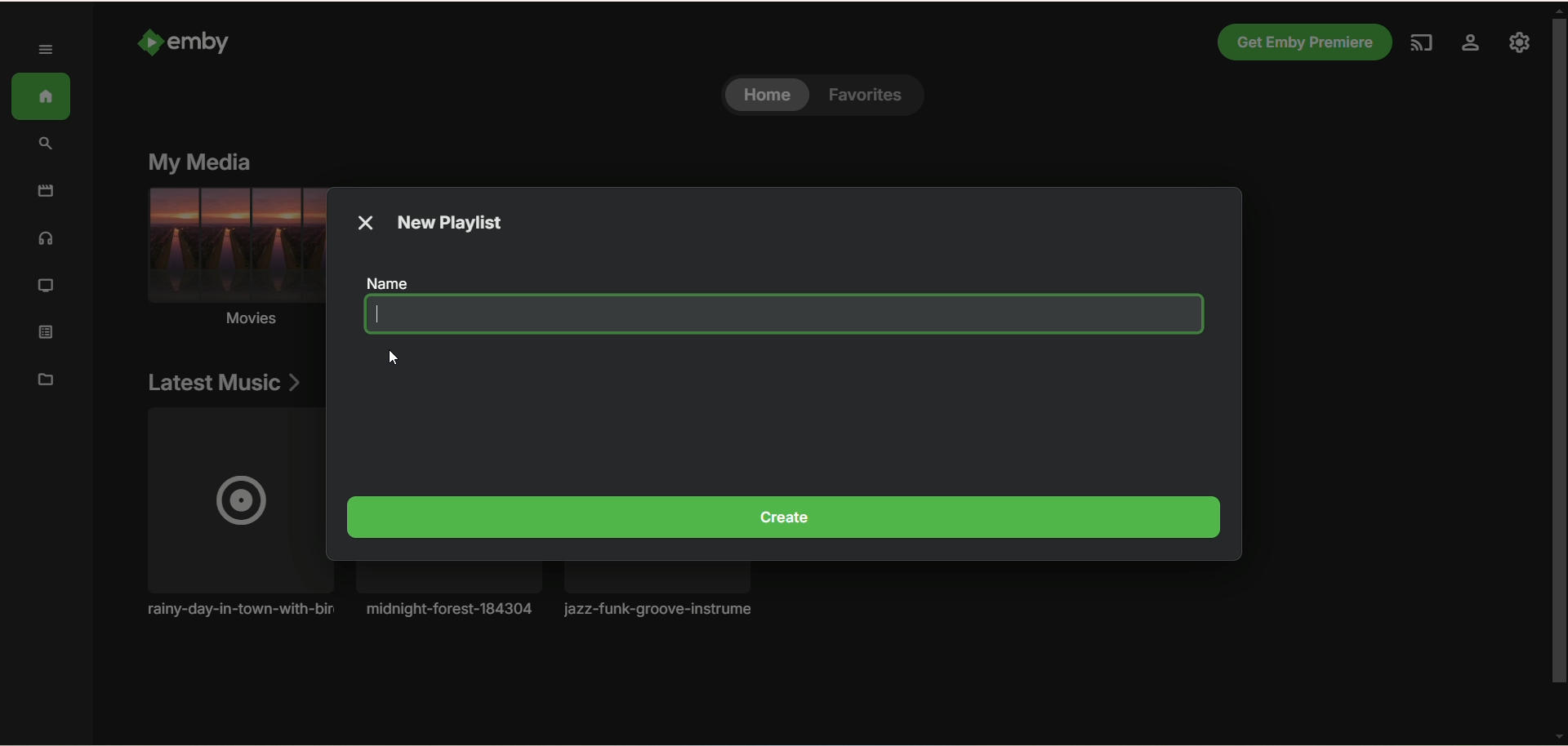 The image size is (1568, 746). I want to click on my media, so click(200, 161).